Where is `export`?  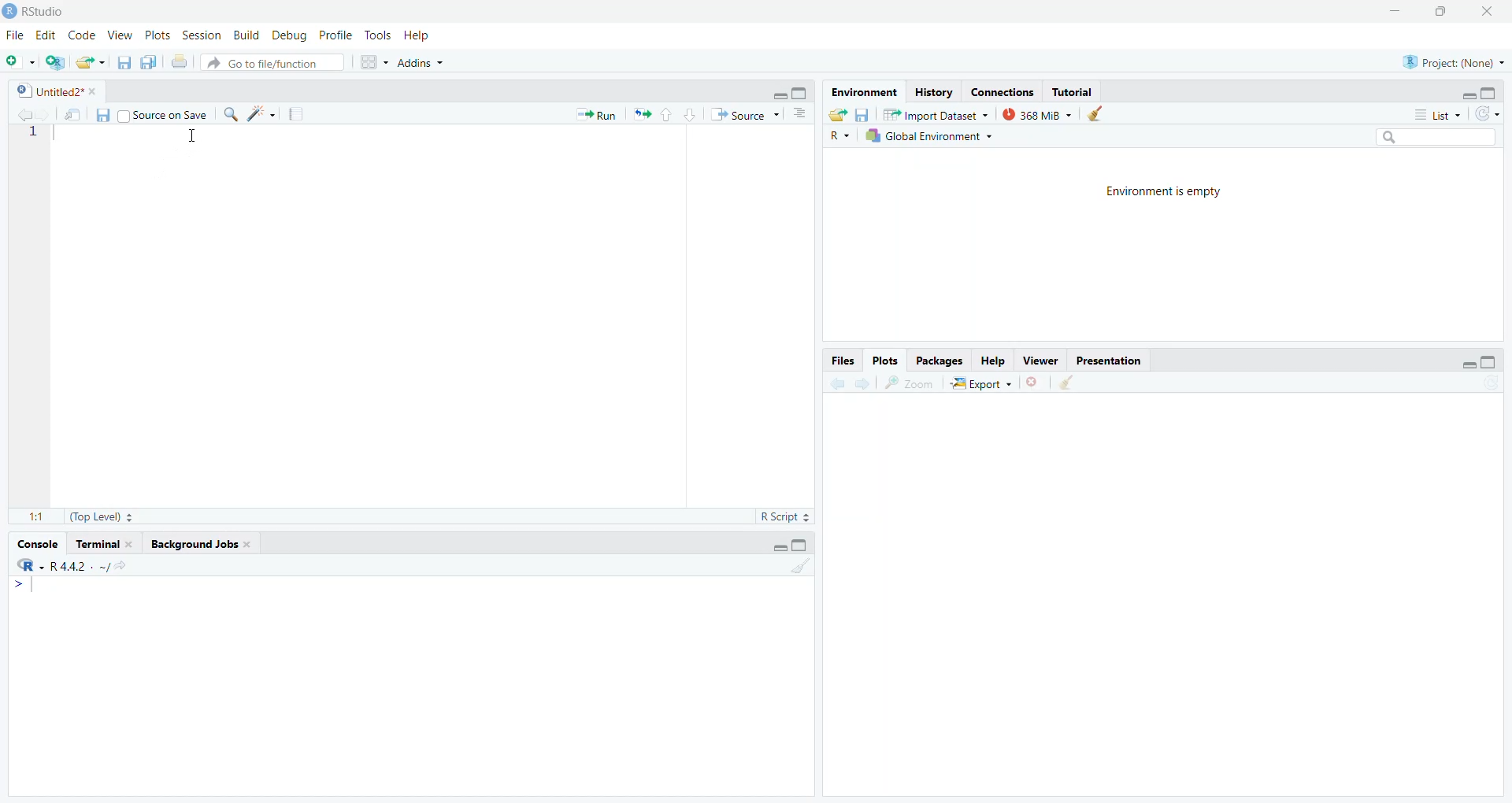
export is located at coordinates (839, 117).